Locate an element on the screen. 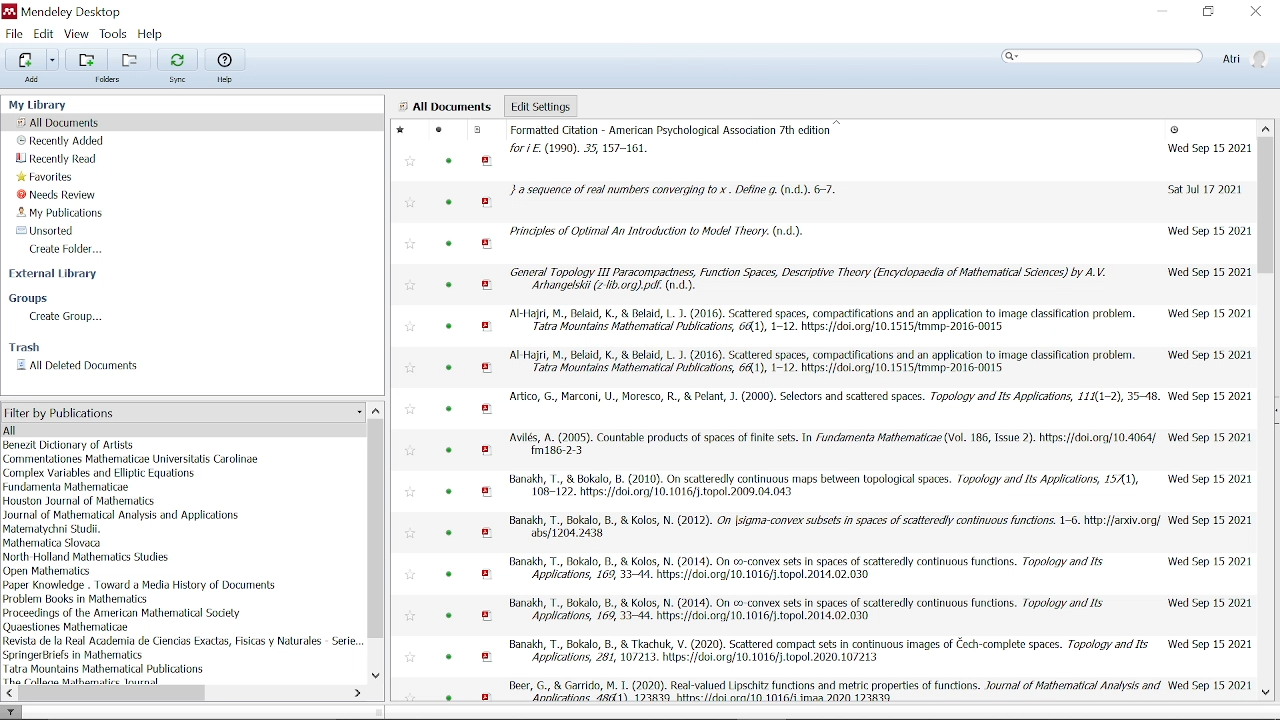 This screenshot has height=720, width=1280. Move down is located at coordinates (1266, 693).